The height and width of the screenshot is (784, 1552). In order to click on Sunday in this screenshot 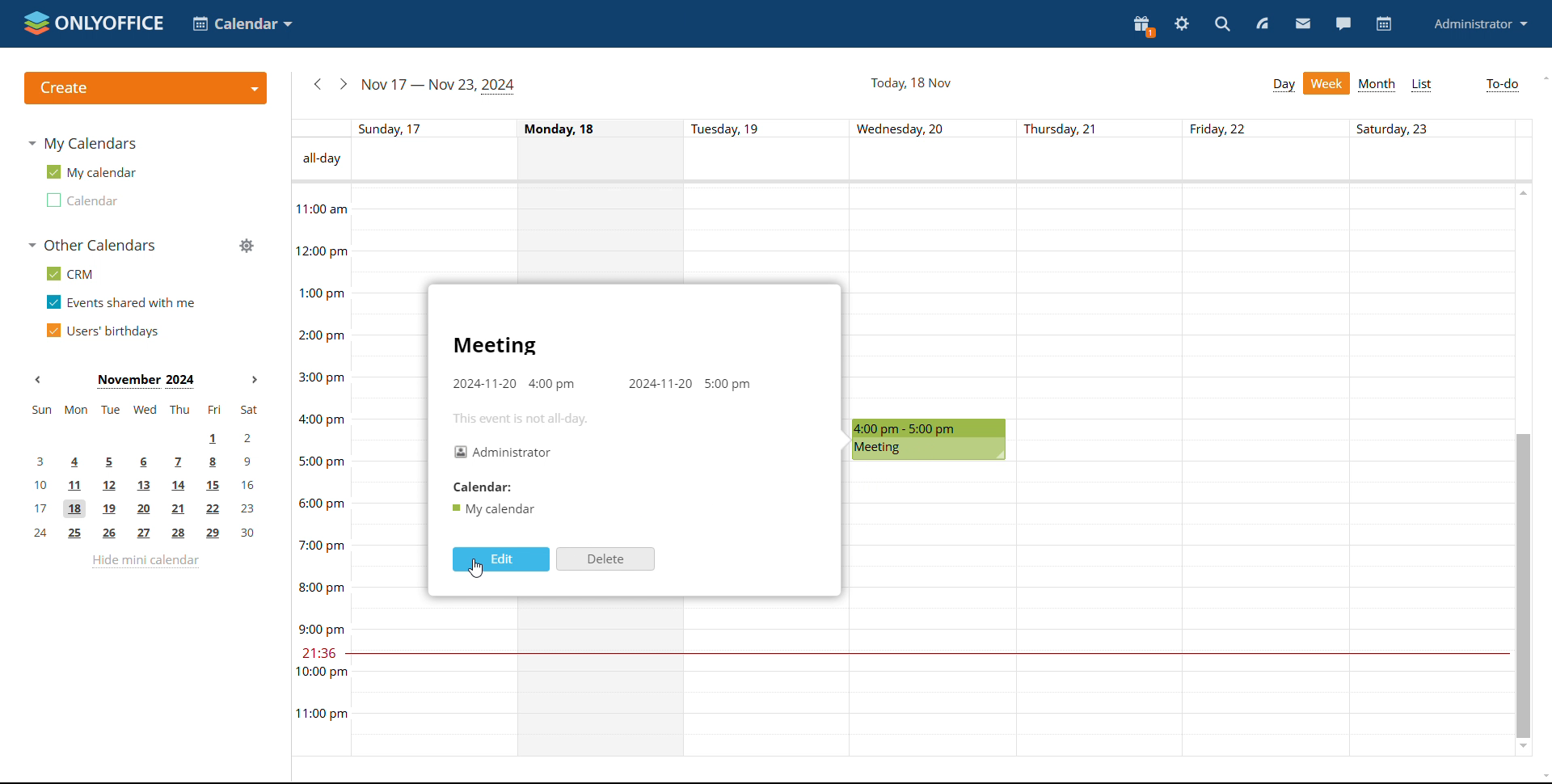, I will do `click(387, 470)`.